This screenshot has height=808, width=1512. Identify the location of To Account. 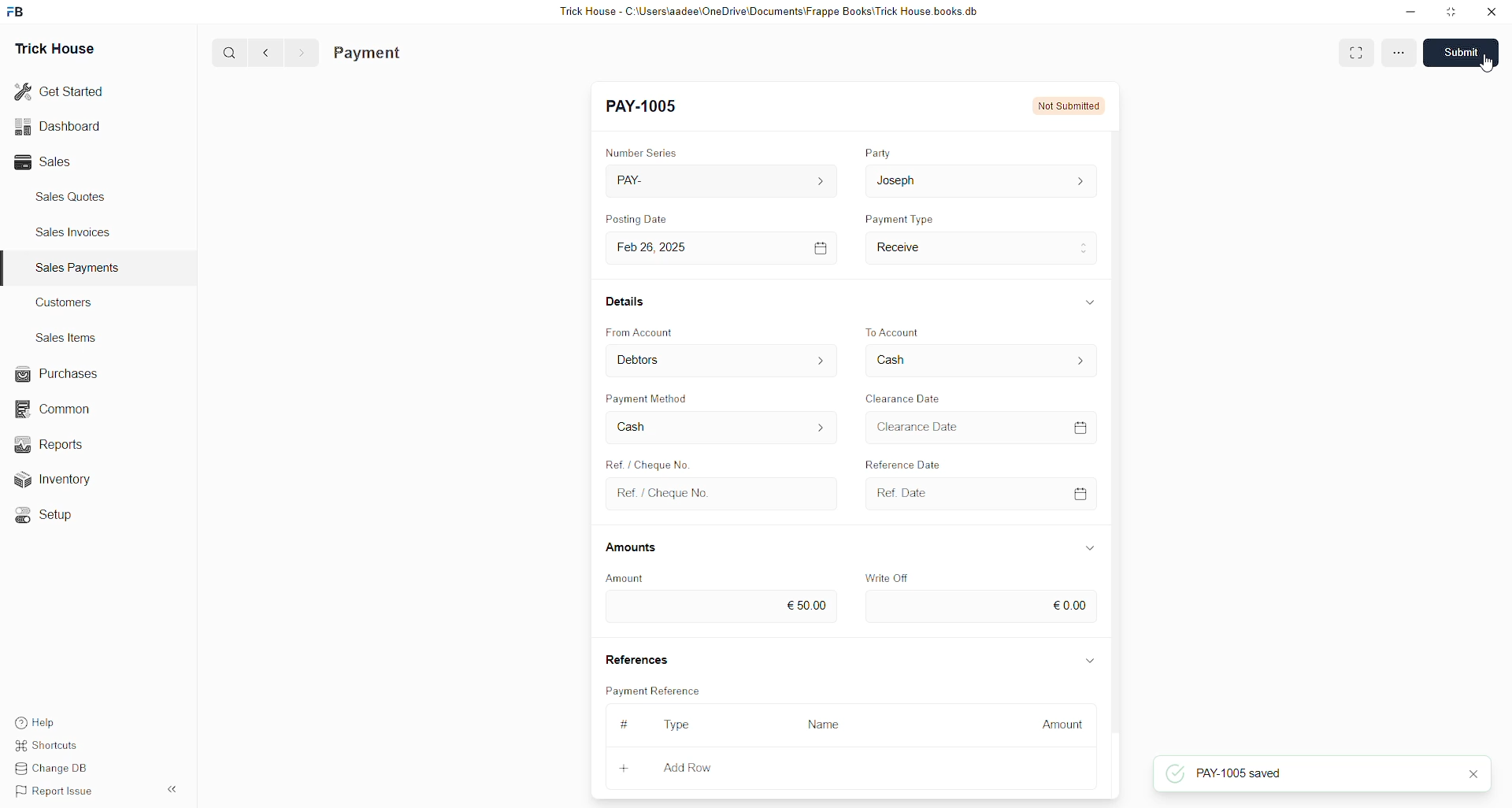
(895, 332).